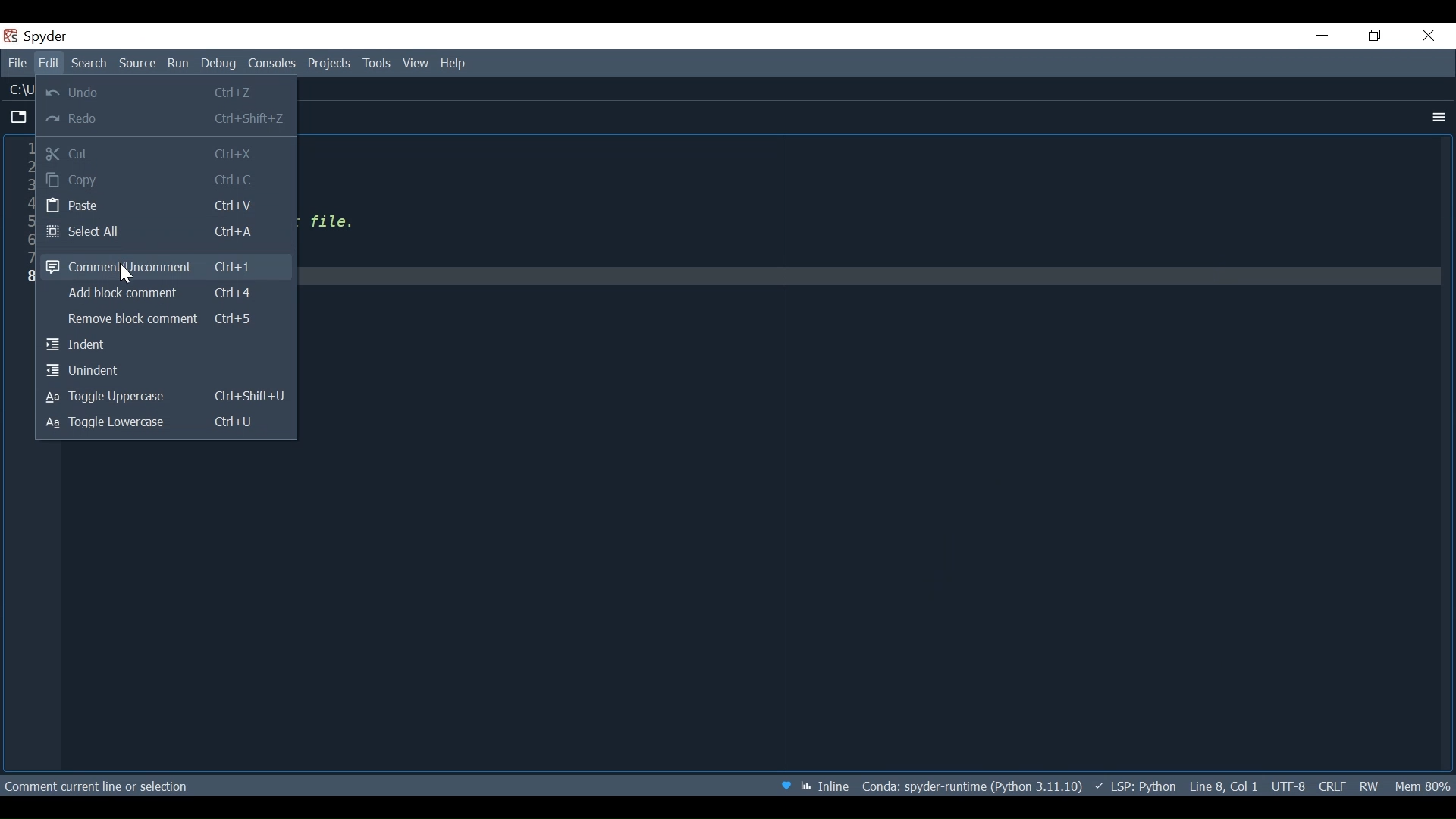 The height and width of the screenshot is (819, 1456). What do you see at coordinates (1373, 36) in the screenshot?
I see `Restore` at bounding box center [1373, 36].